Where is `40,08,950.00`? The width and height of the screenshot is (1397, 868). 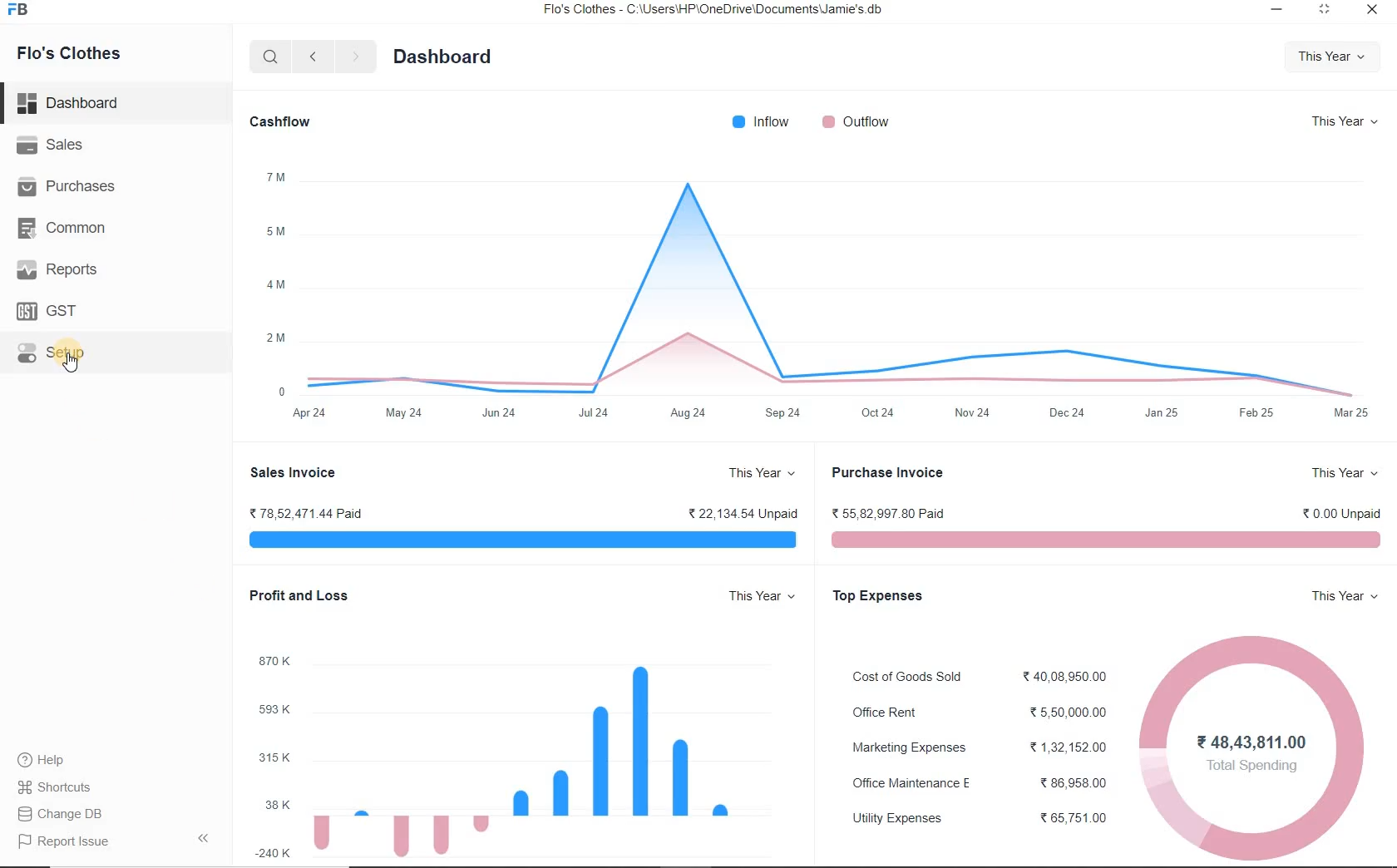 40,08,950.00 is located at coordinates (1065, 678).